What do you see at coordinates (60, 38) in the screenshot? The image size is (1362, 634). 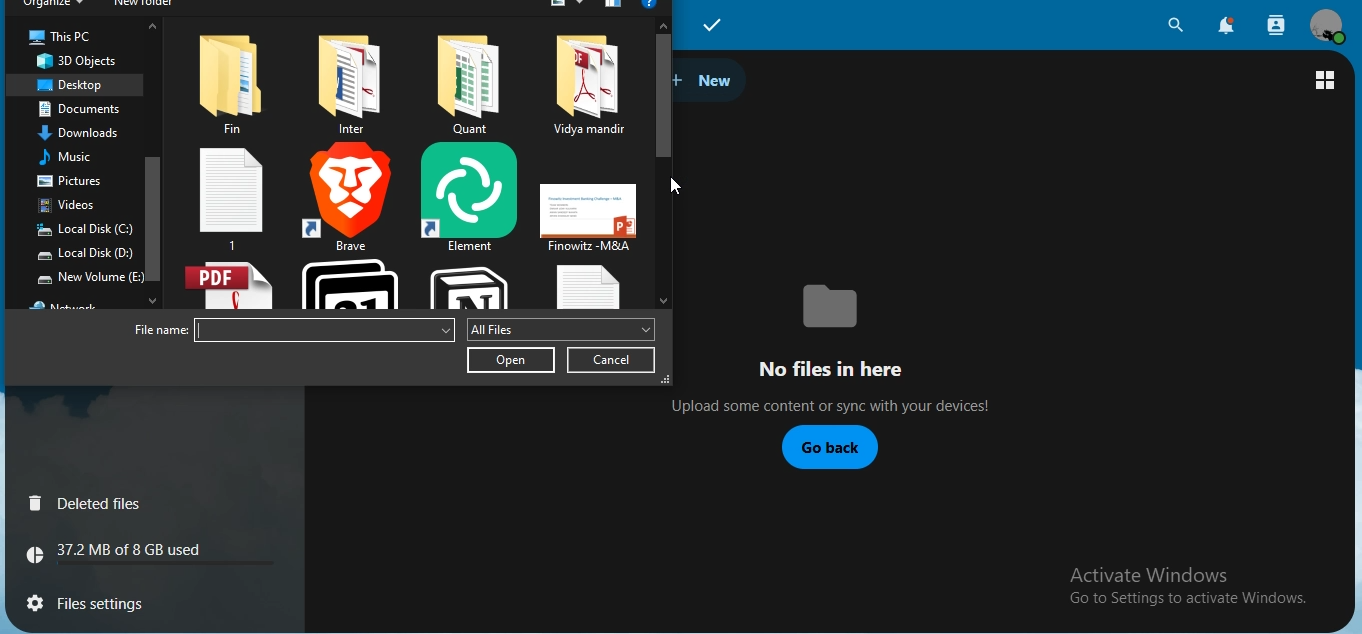 I see `this pc` at bounding box center [60, 38].